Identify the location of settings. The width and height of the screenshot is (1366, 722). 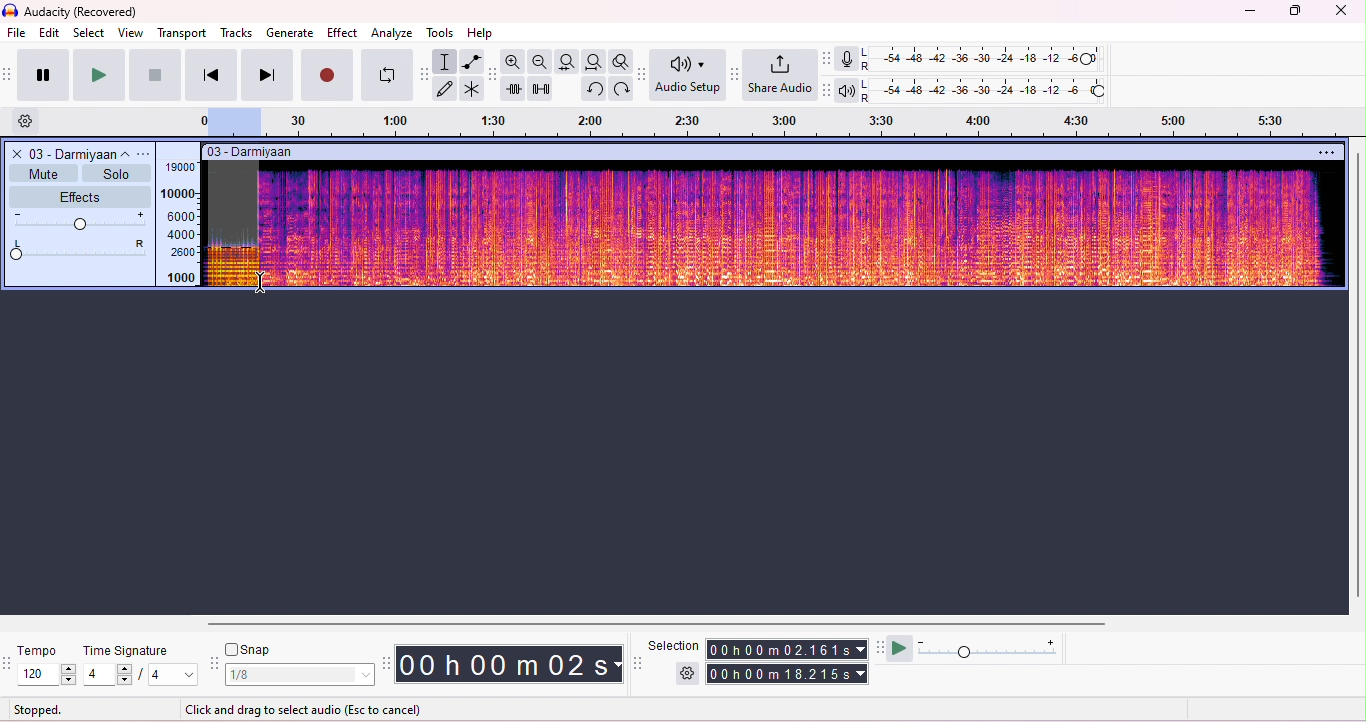
(31, 122).